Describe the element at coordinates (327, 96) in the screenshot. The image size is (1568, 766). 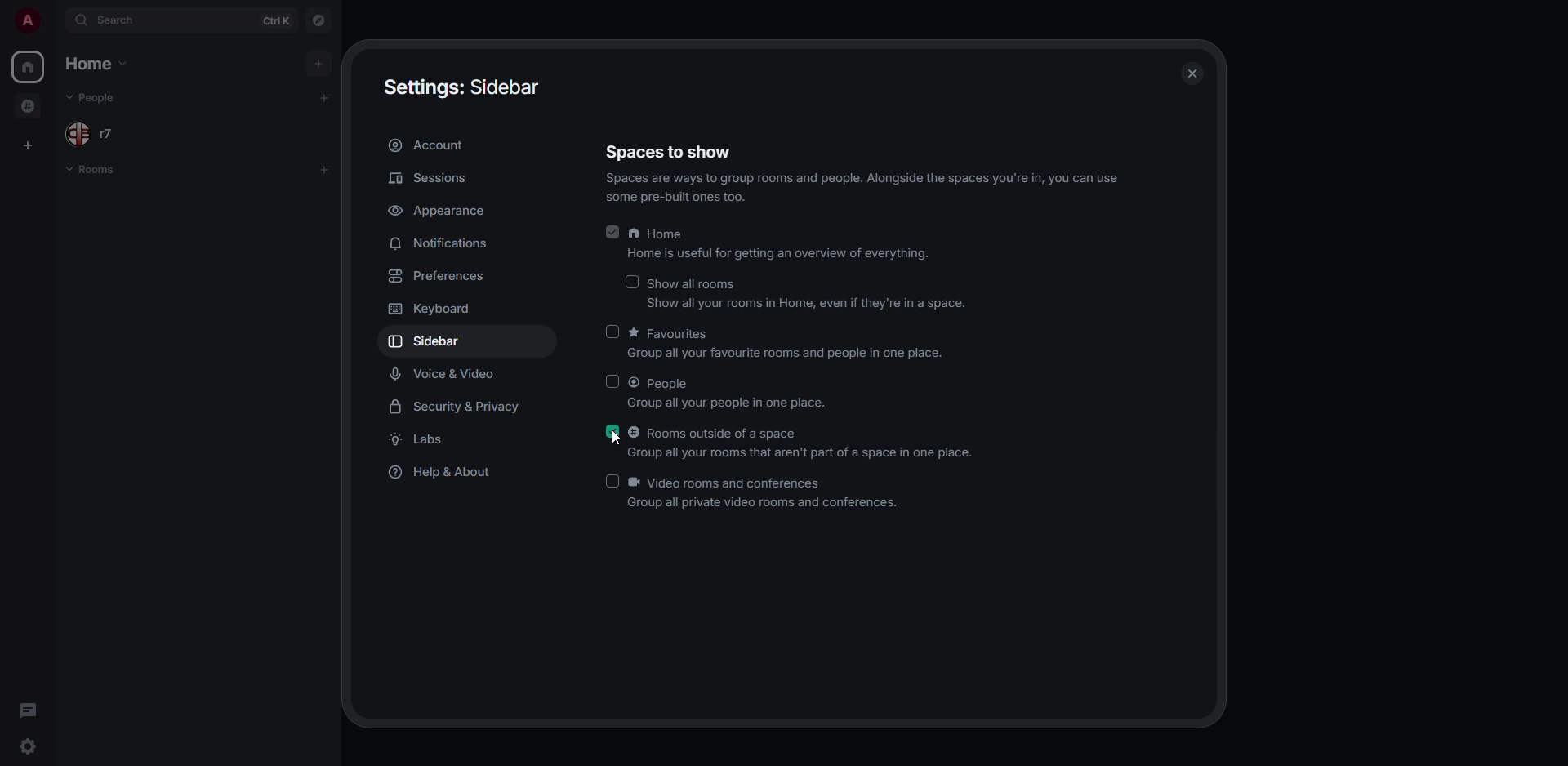
I see `add` at that location.